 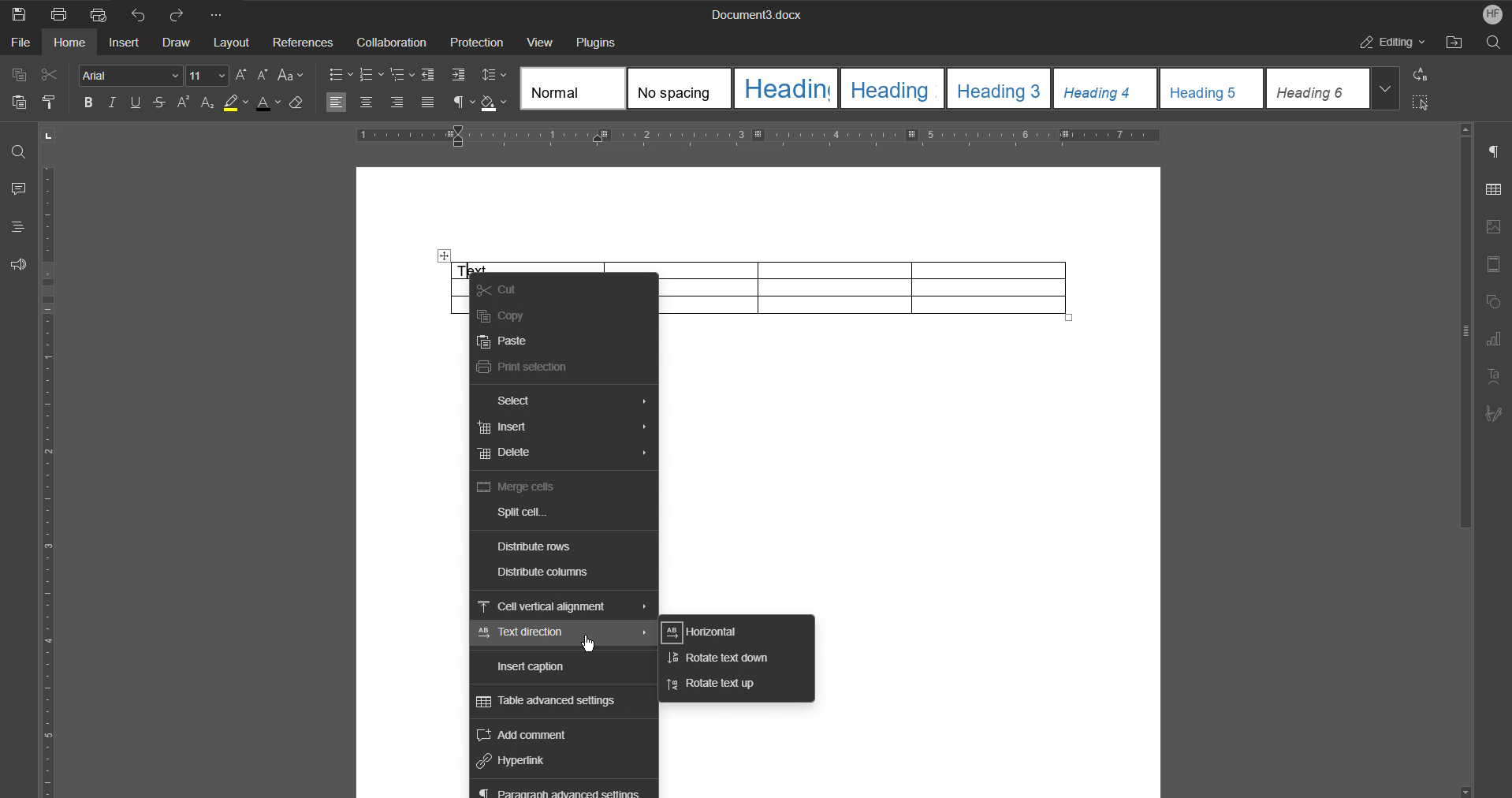 What do you see at coordinates (300, 103) in the screenshot?
I see `Erase Style` at bounding box center [300, 103].